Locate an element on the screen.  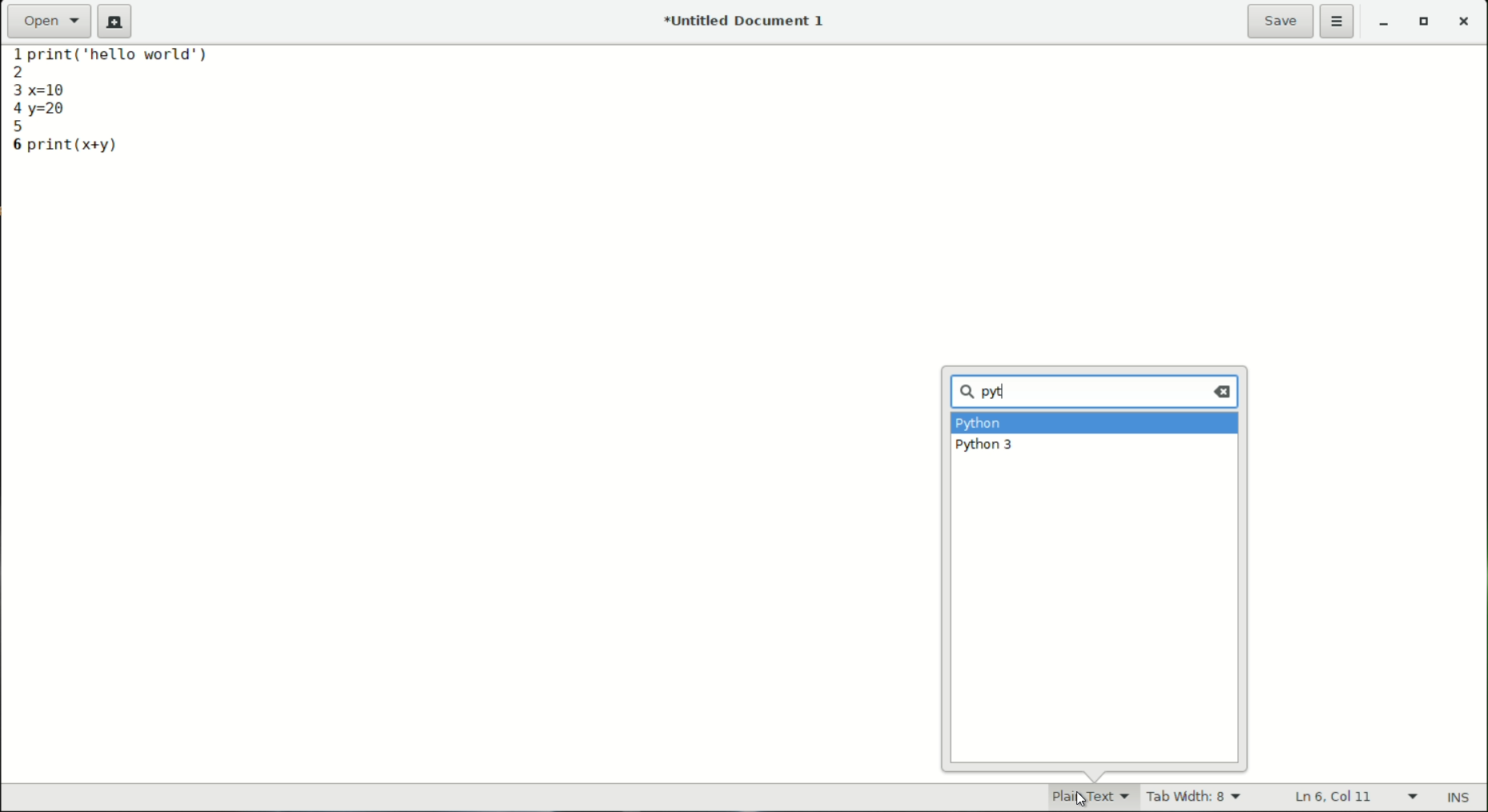
file format is located at coordinates (1080, 796).